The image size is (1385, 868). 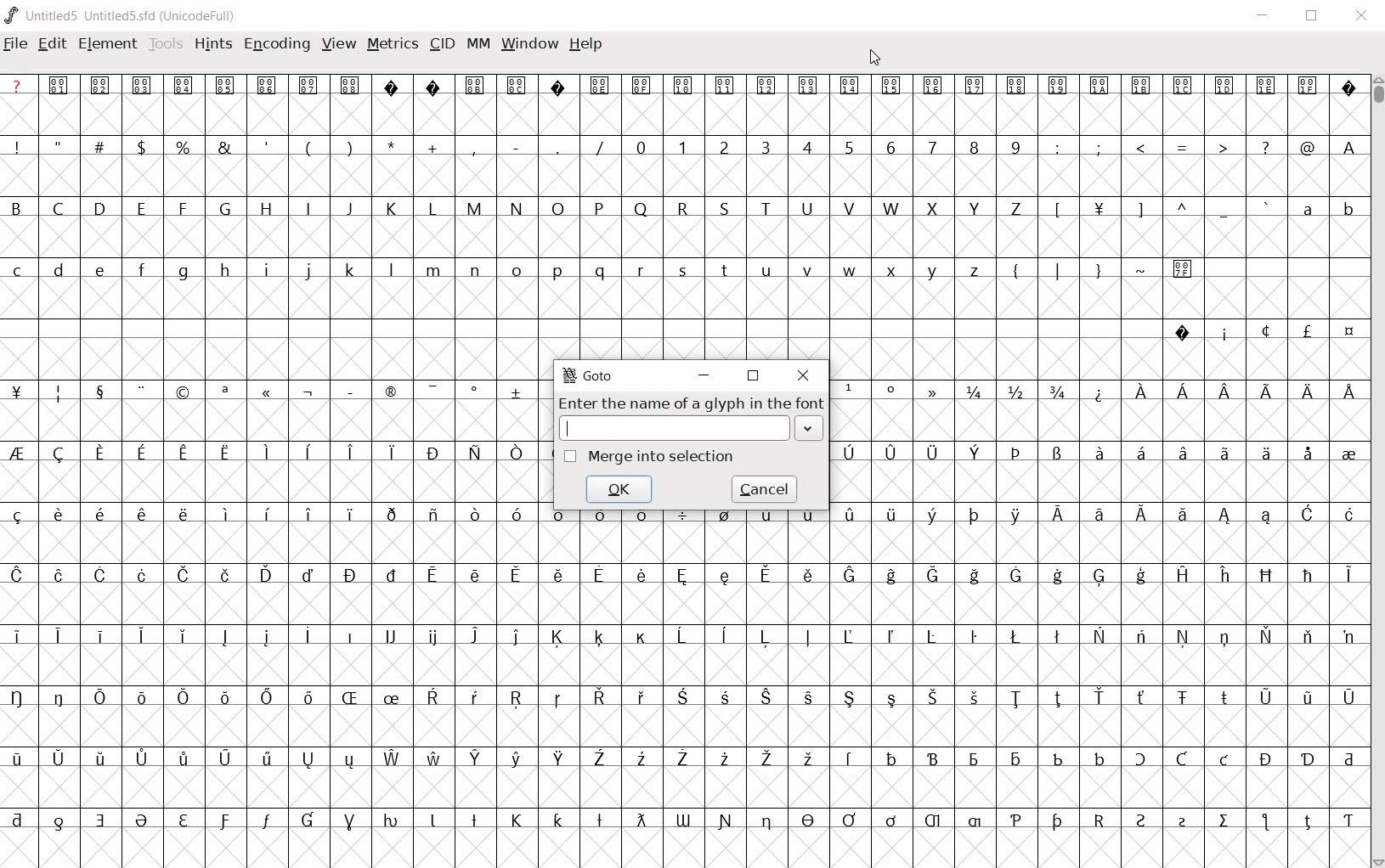 I want to click on Symbol, so click(x=933, y=516).